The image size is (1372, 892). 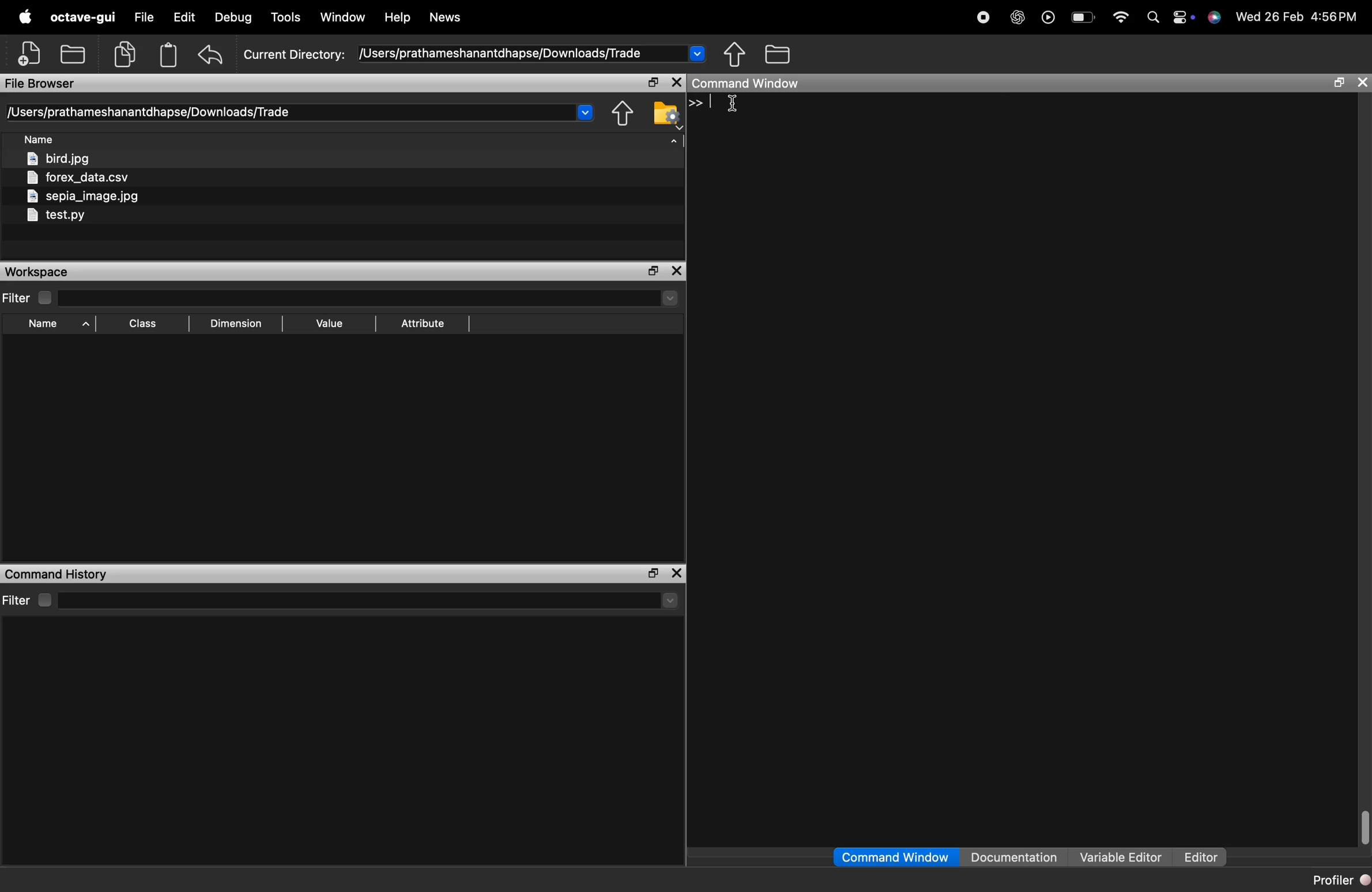 I want to click on separate the window, so click(x=652, y=82).